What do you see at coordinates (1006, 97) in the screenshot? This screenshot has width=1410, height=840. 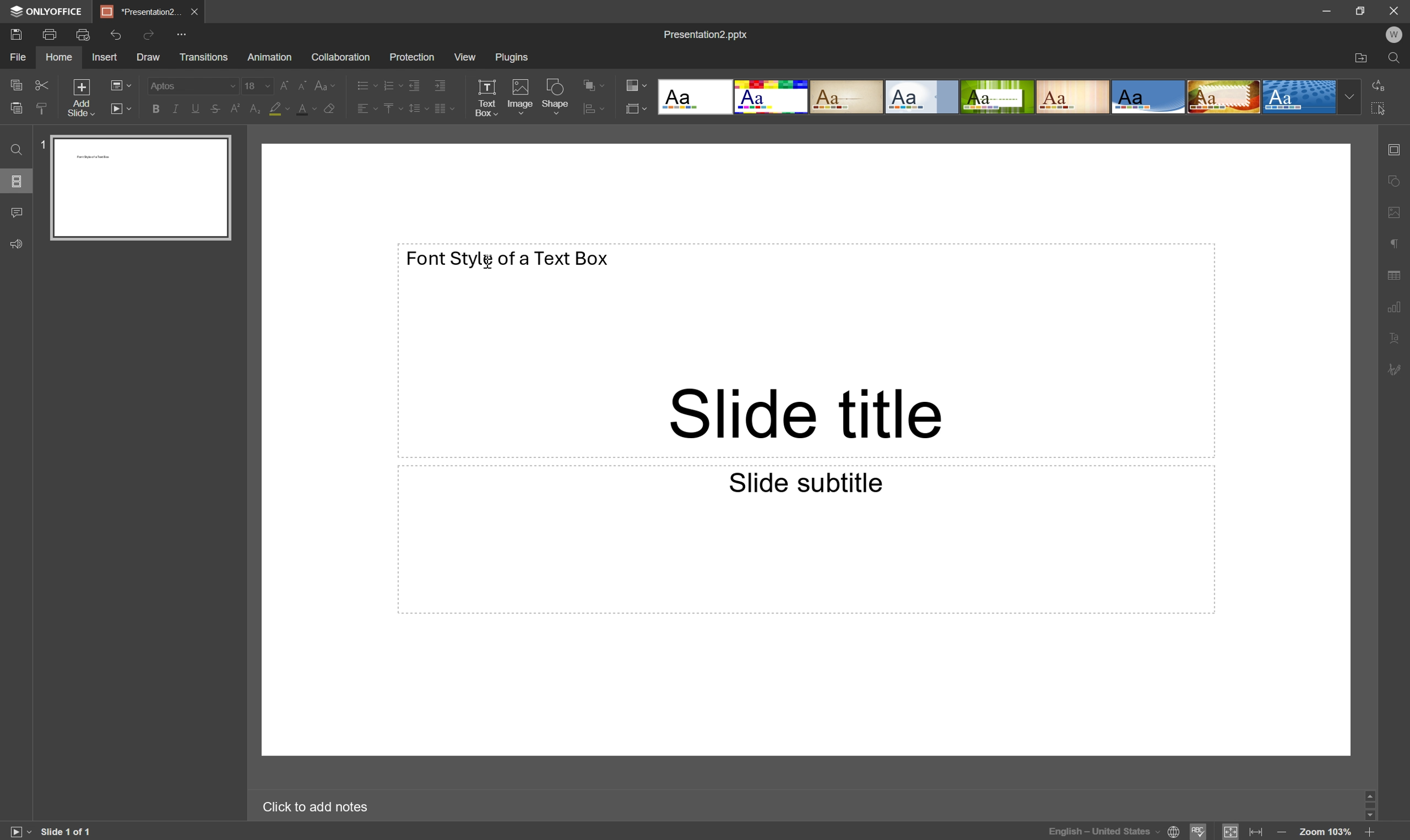 I see `Type of slides` at bounding box center [1006, 97].